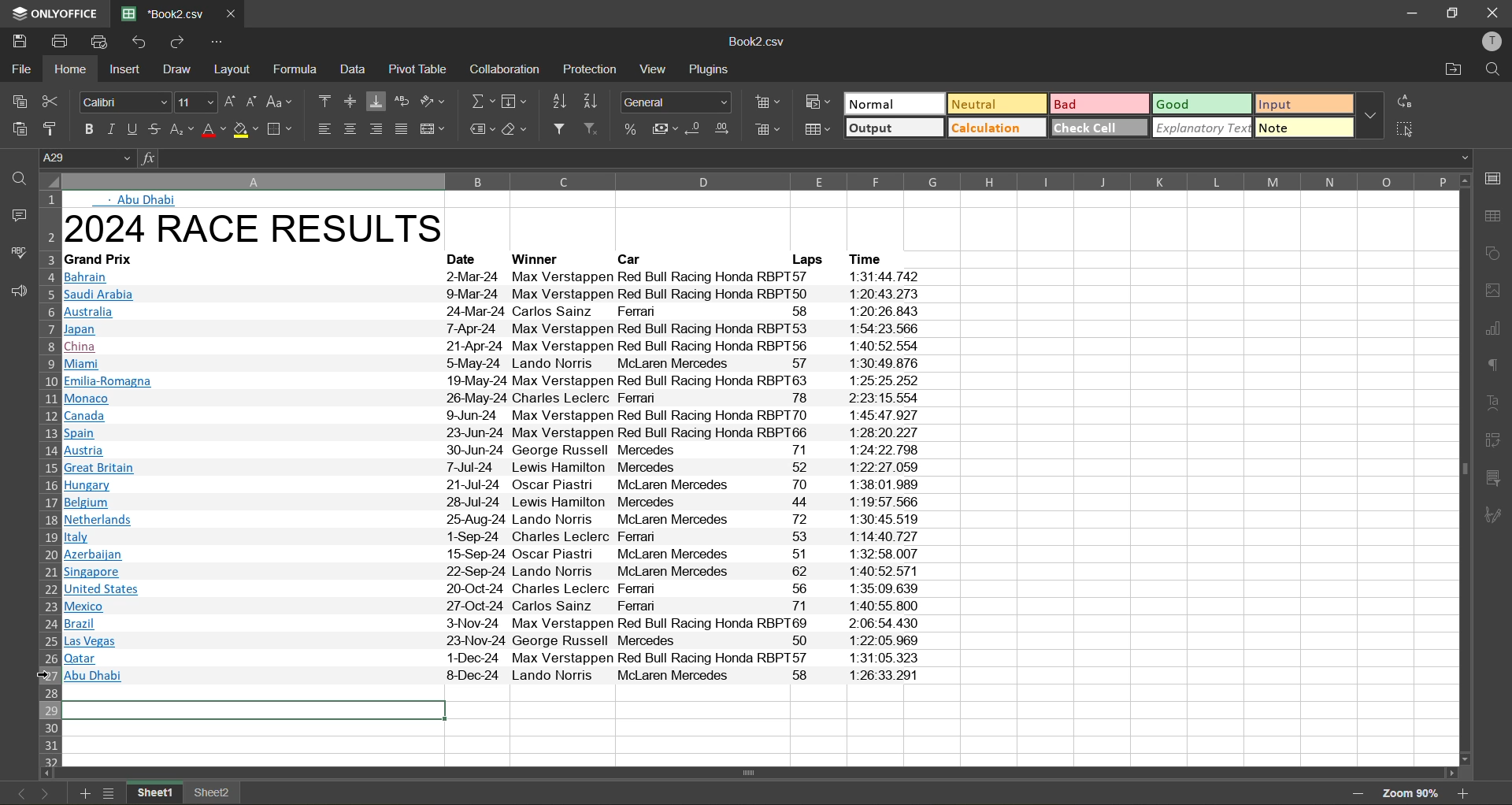  What do you see at coordinates (491, 623) in the screenshot?
I see `text info` at bounding box center [491, 623].